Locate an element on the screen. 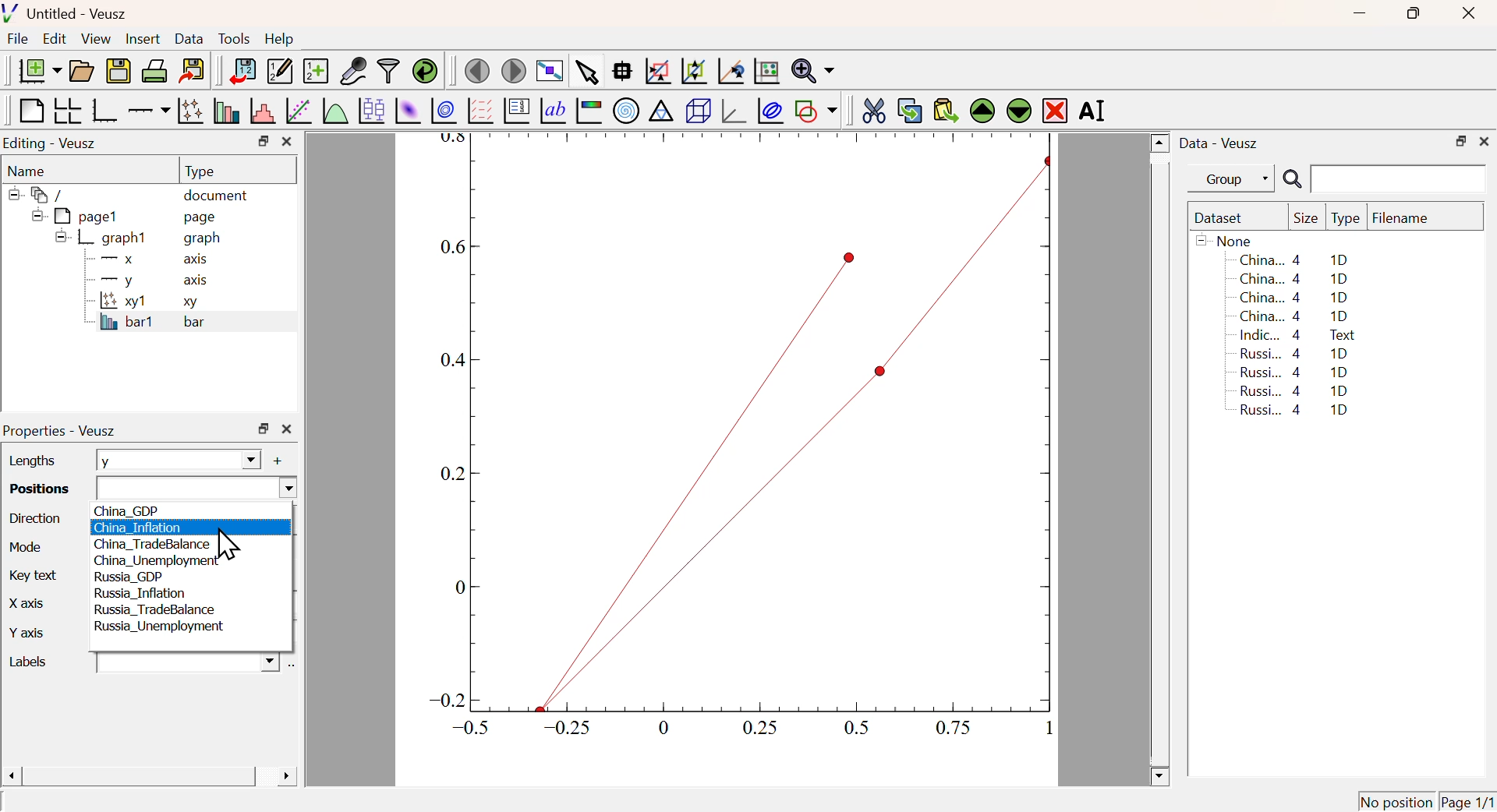 This screenshot has height=812, width=1497. Dataset is located at coordinates (1222, 219).